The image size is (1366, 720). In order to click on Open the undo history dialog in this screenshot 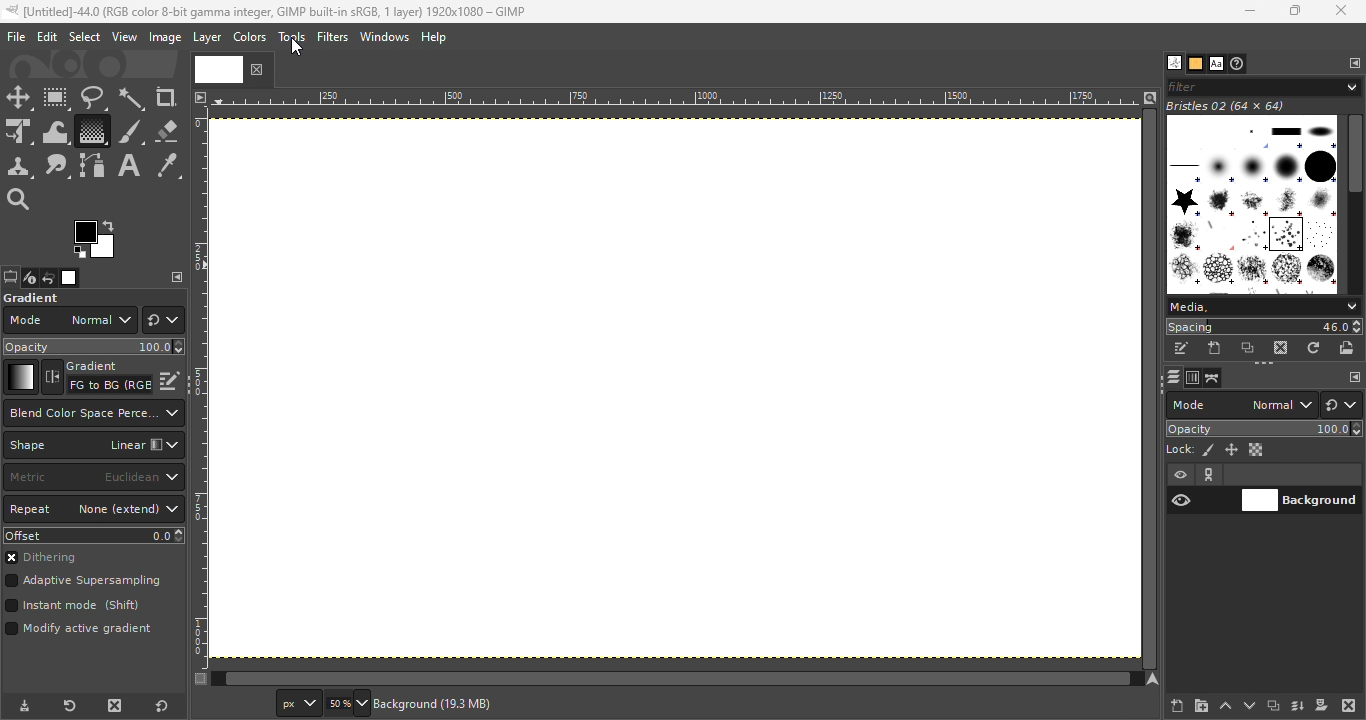, I will do `click(49, 277)`.